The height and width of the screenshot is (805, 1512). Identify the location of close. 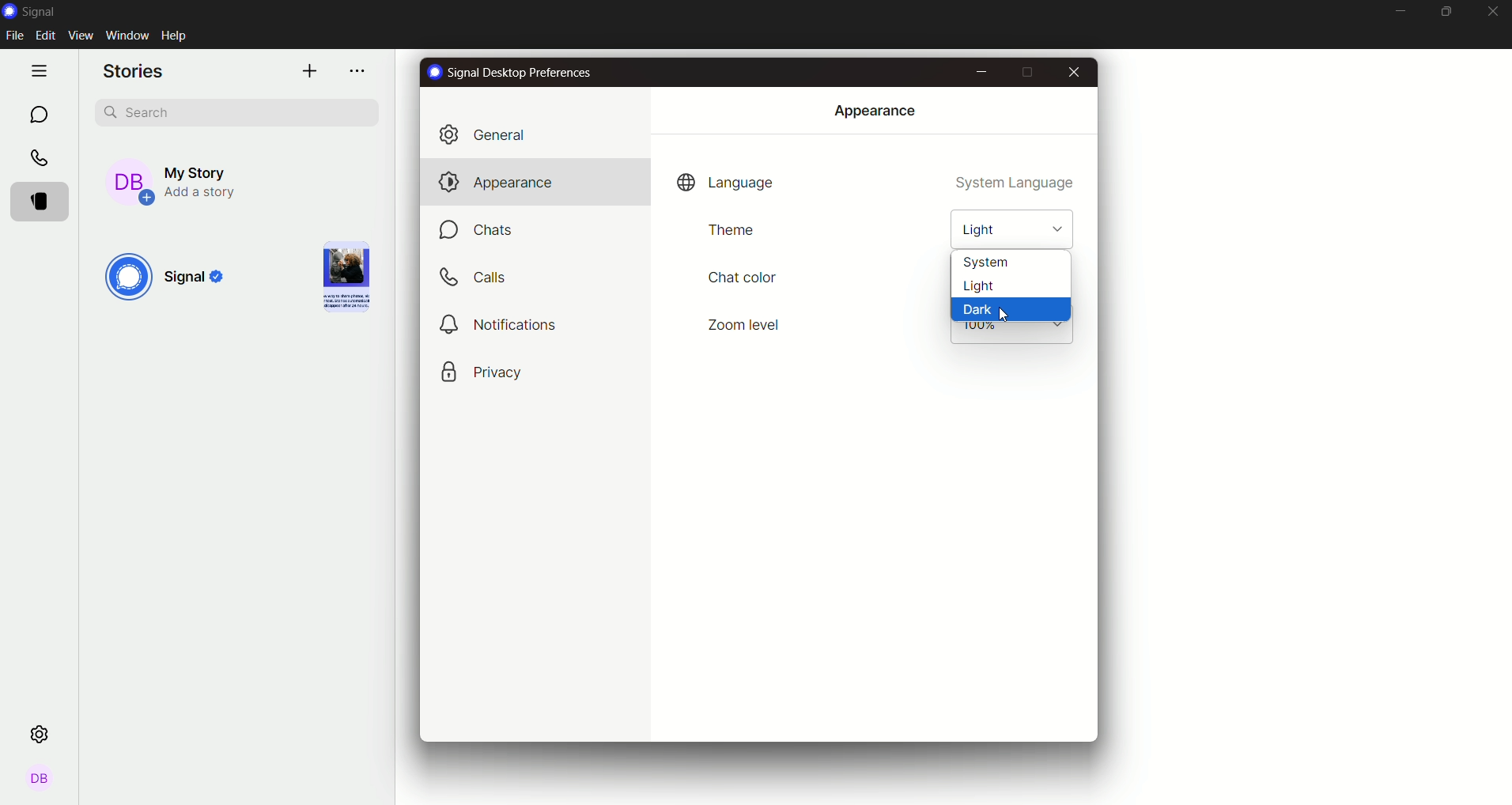
(1492, 13).